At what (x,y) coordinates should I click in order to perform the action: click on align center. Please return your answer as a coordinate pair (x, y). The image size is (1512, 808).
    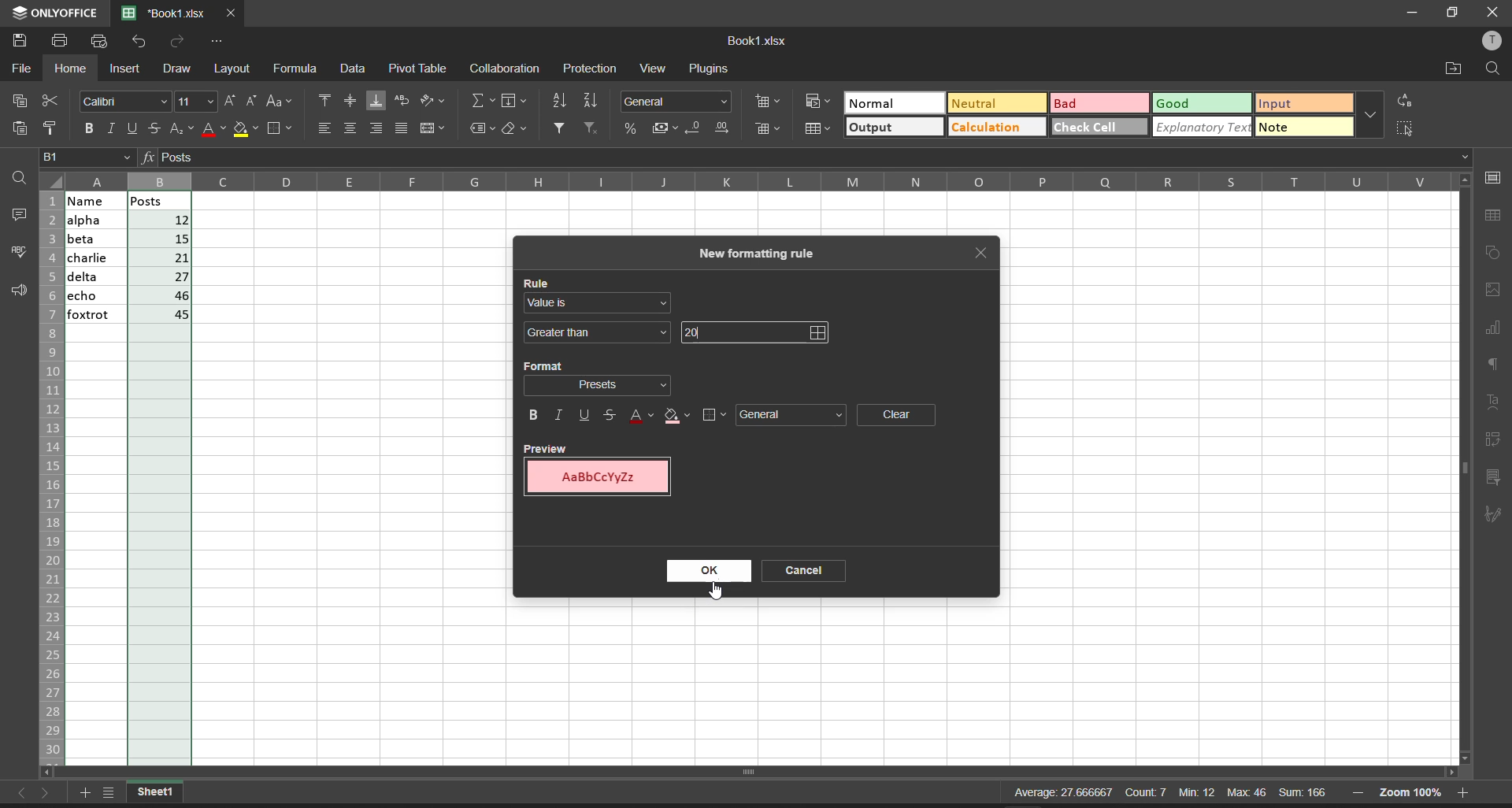
    Looking at the image, I should click on (346, 101).